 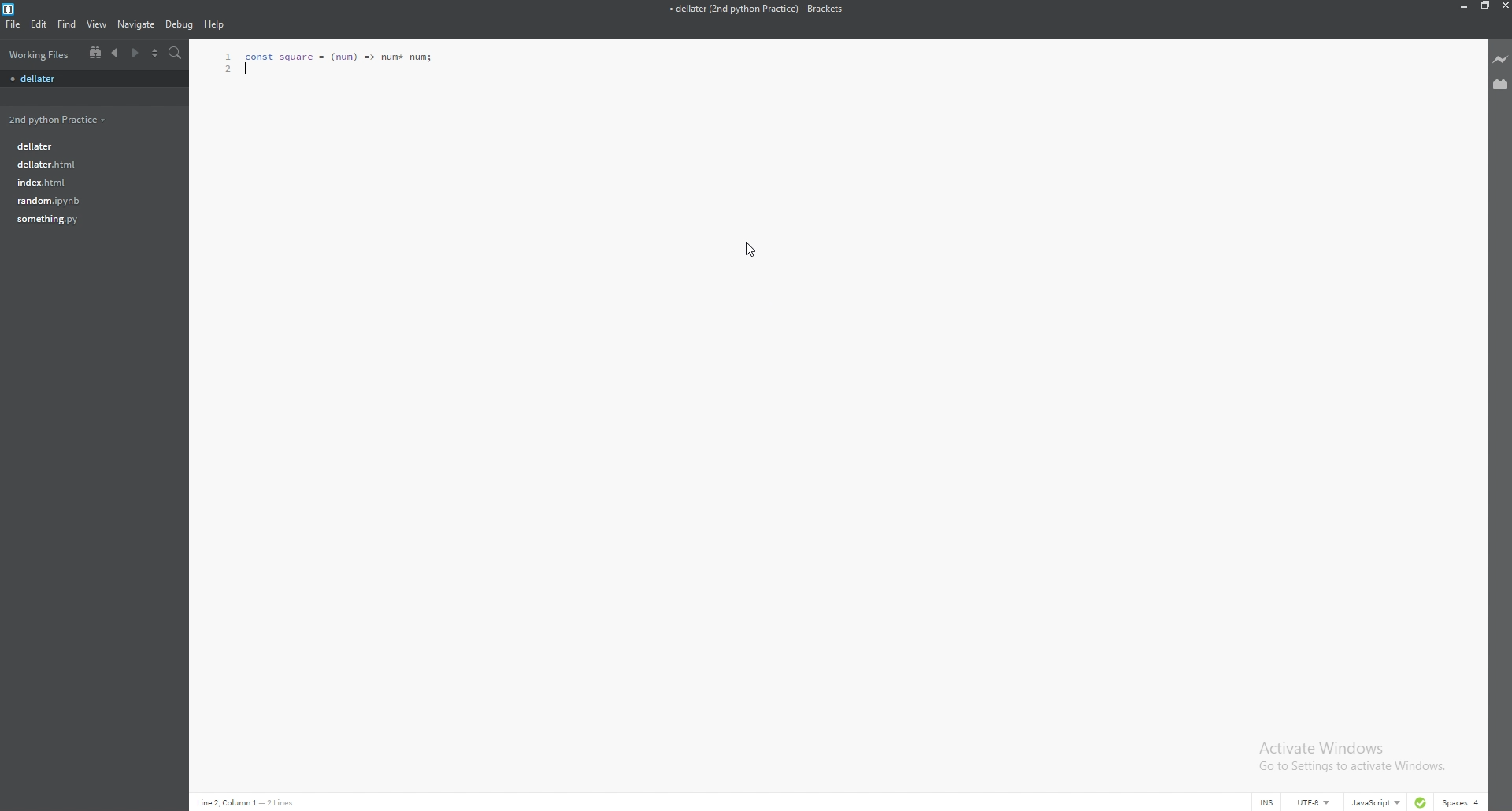 What do you see at coordinates (1269, 802) in the screenshot?
I see `cursor mode` at bounding box center [1269, 802].